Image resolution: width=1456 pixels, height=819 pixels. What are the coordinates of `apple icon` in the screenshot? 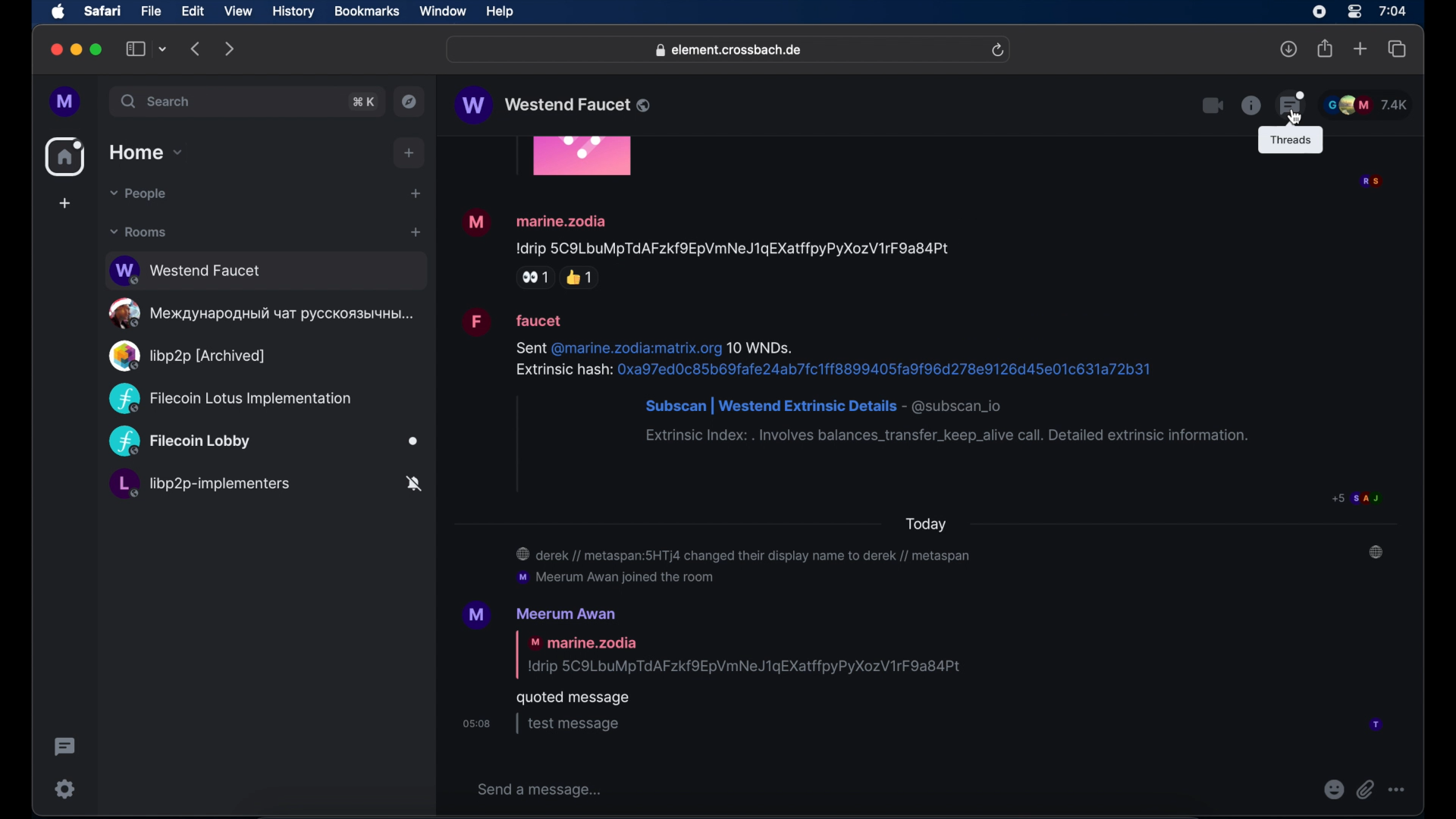 It's located at (58, 12).